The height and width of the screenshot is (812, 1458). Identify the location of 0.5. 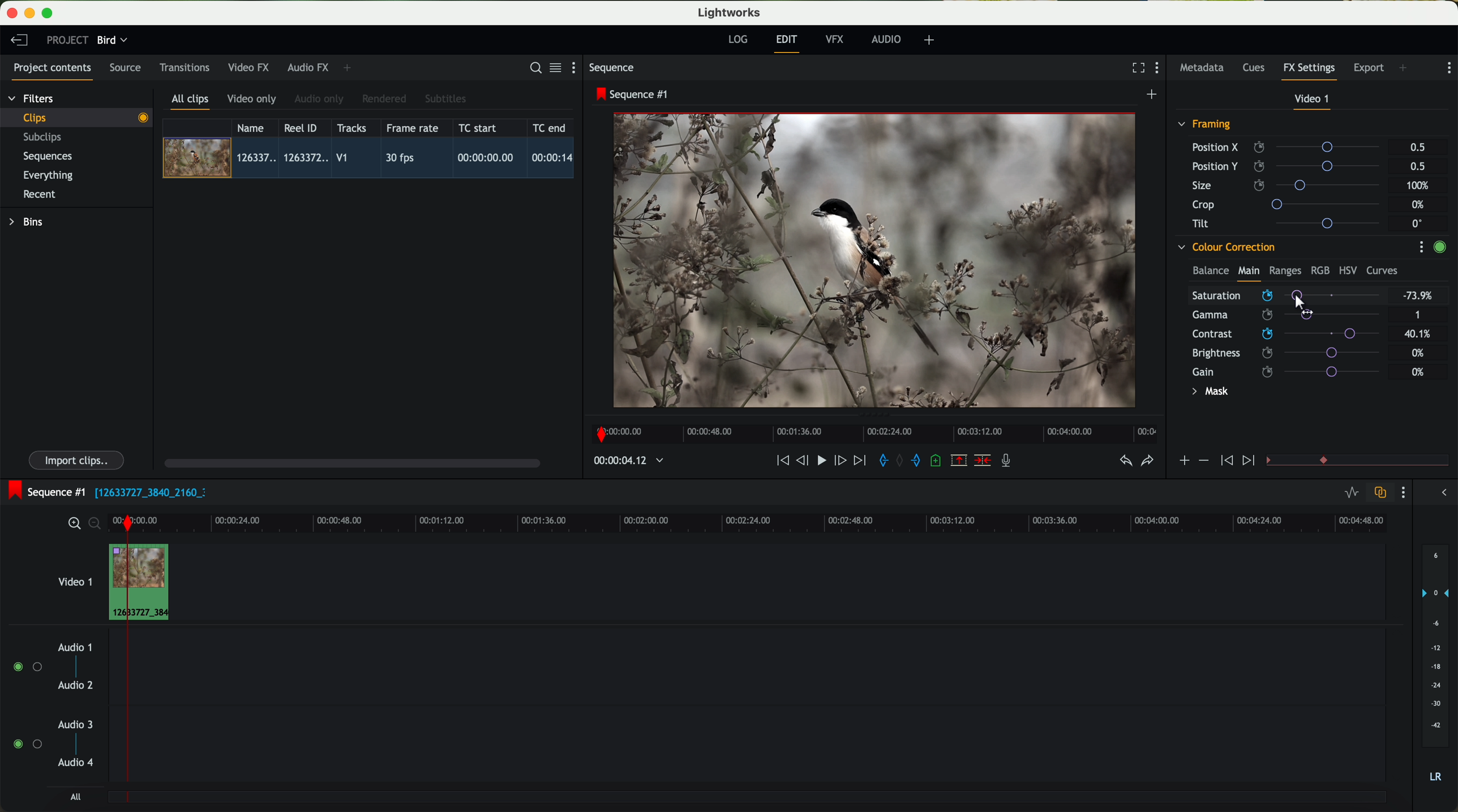
(1418, 148).